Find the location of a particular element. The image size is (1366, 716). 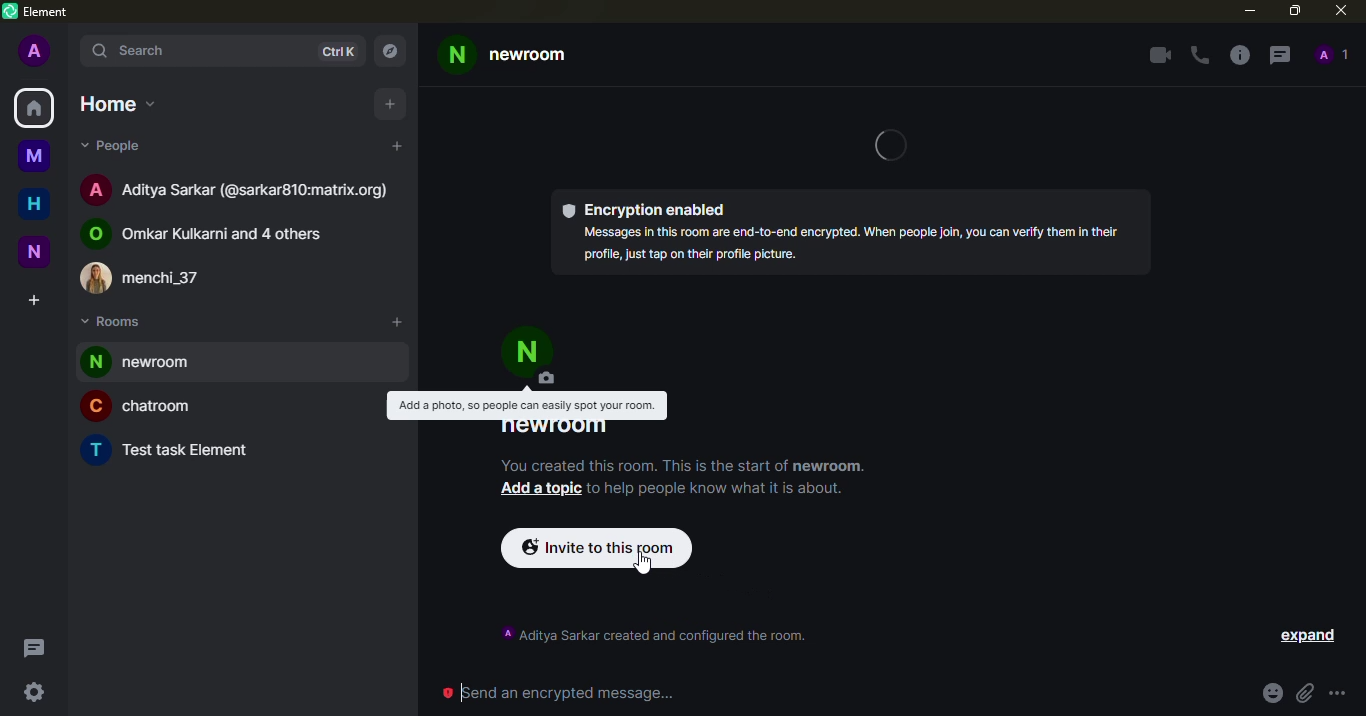

quick settings is located at coordinates (33, 690).